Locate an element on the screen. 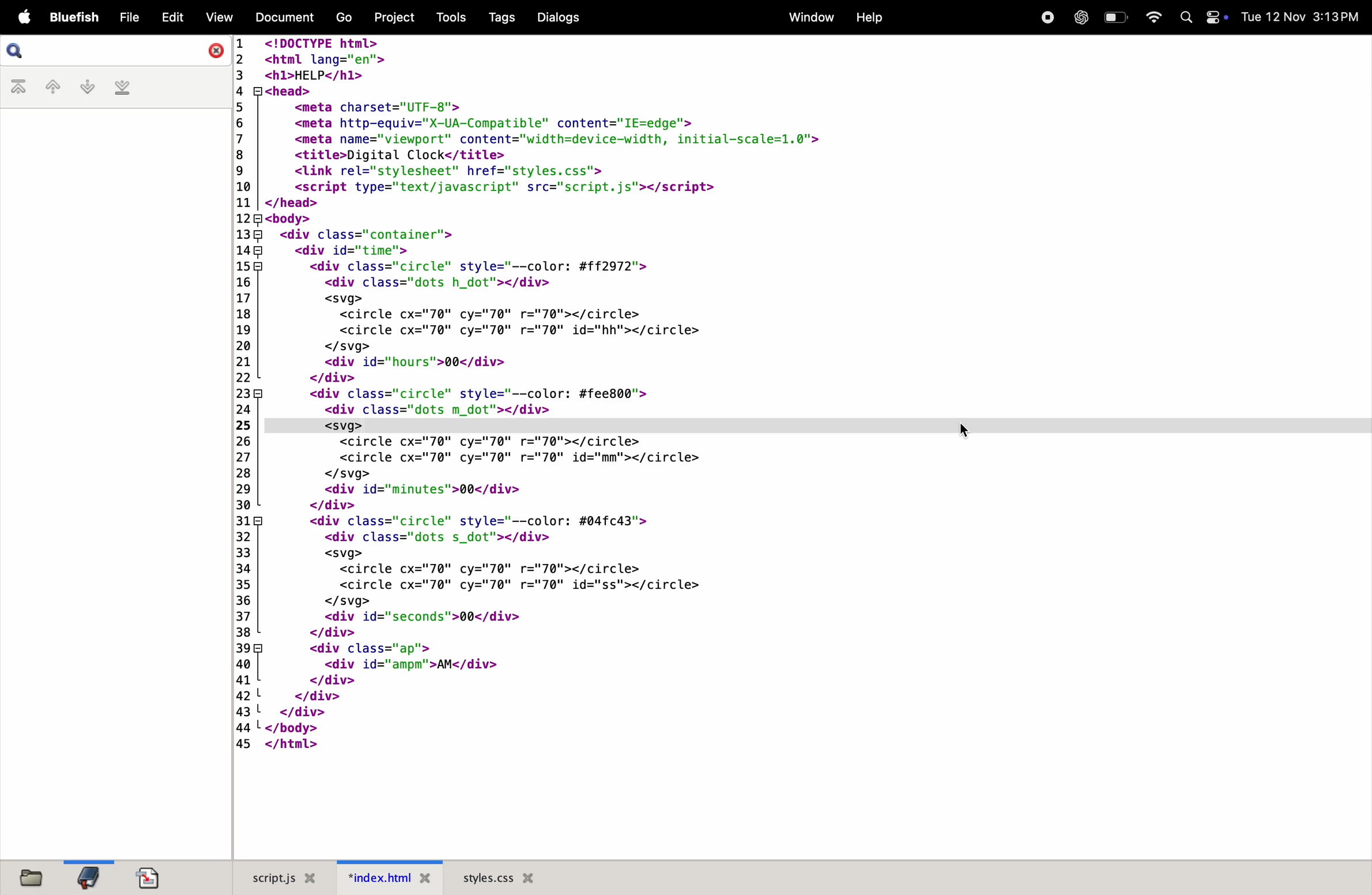  view is located at coordinates (217, 17).